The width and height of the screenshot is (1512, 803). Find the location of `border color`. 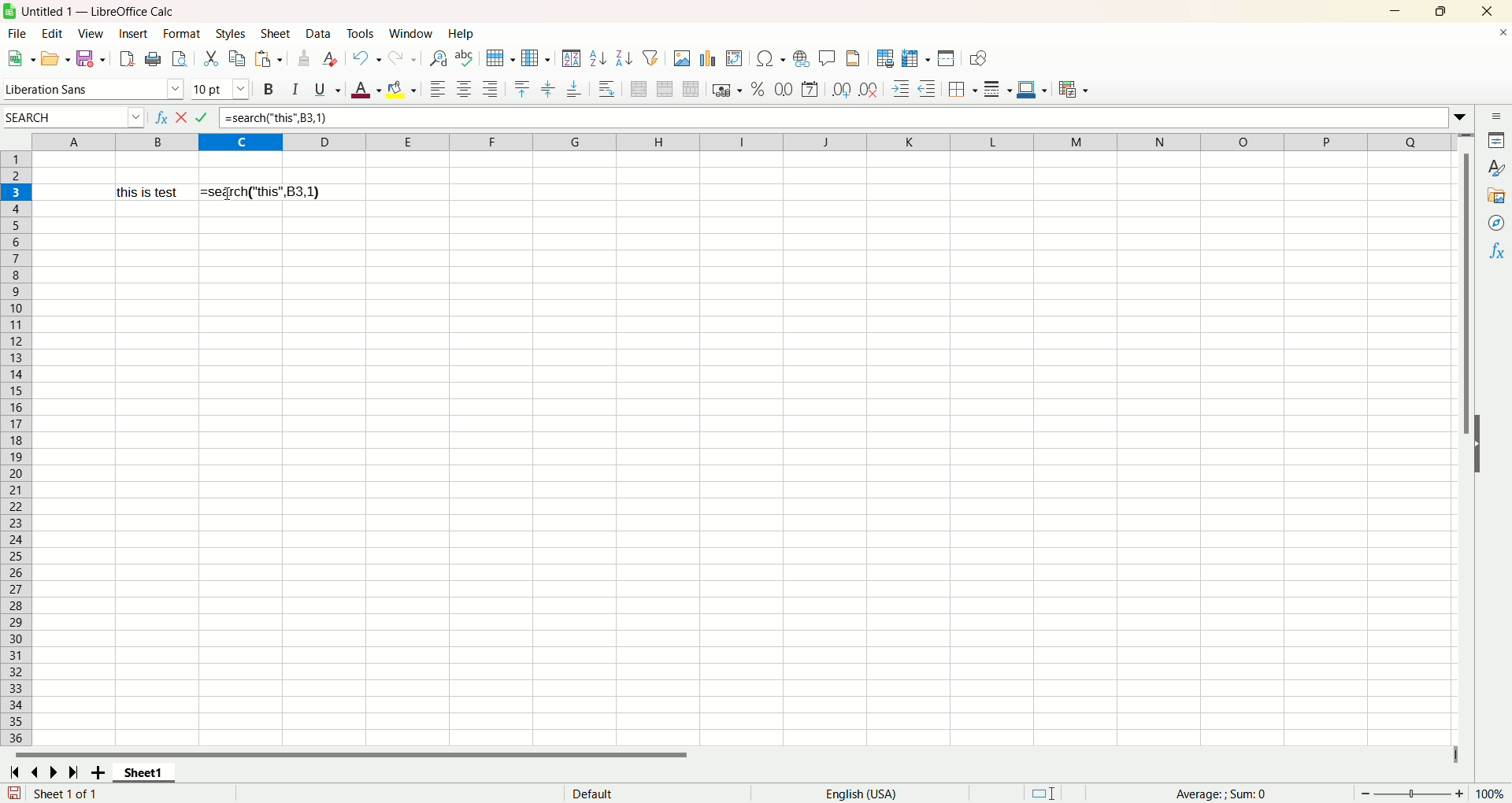

border color is located at coordinates (1031, 87).